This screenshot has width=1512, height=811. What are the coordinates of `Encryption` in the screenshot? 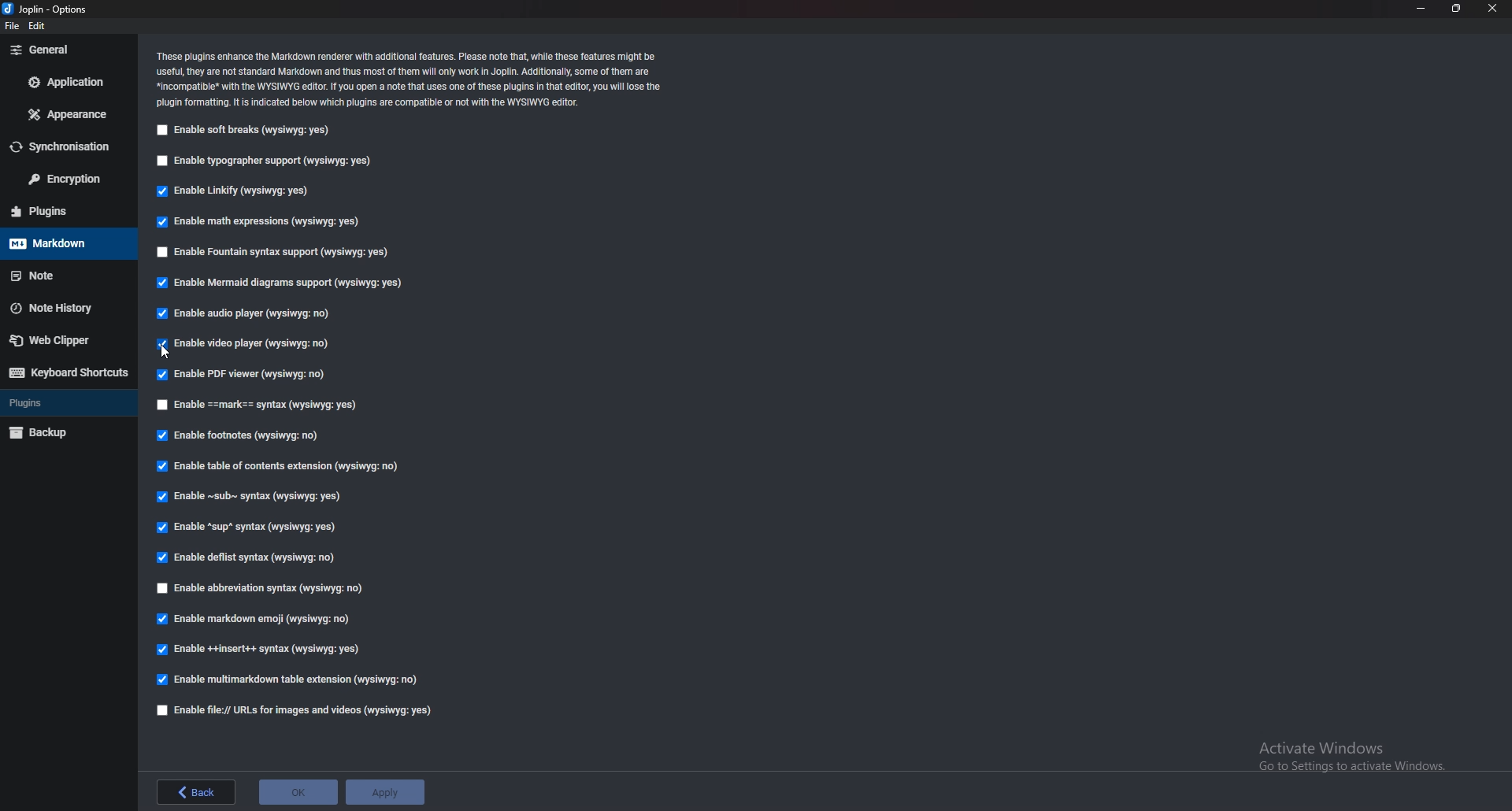 It's located at (69, 179).